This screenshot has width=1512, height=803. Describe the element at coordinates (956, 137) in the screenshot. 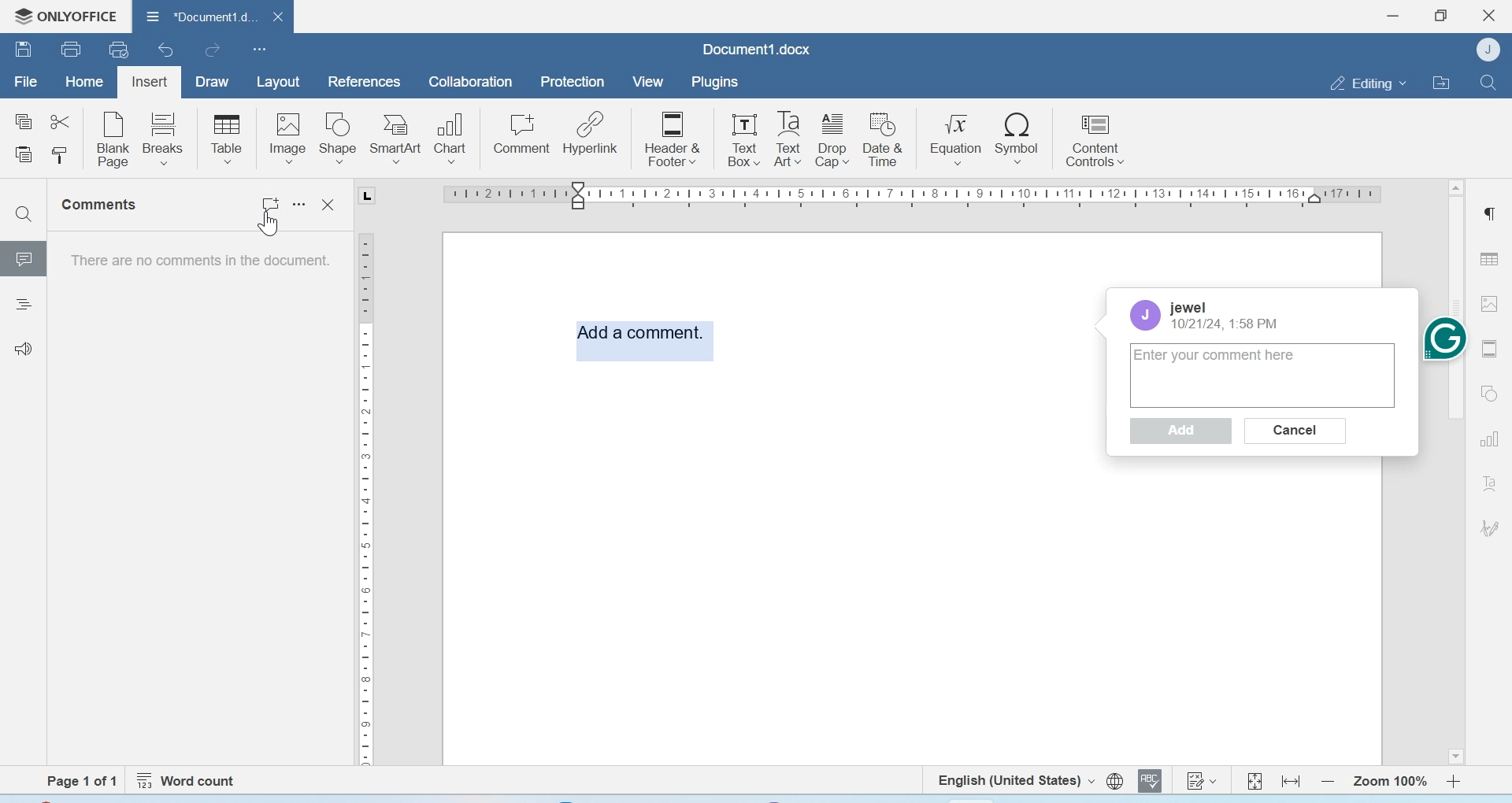

I see `Equation` at that location.